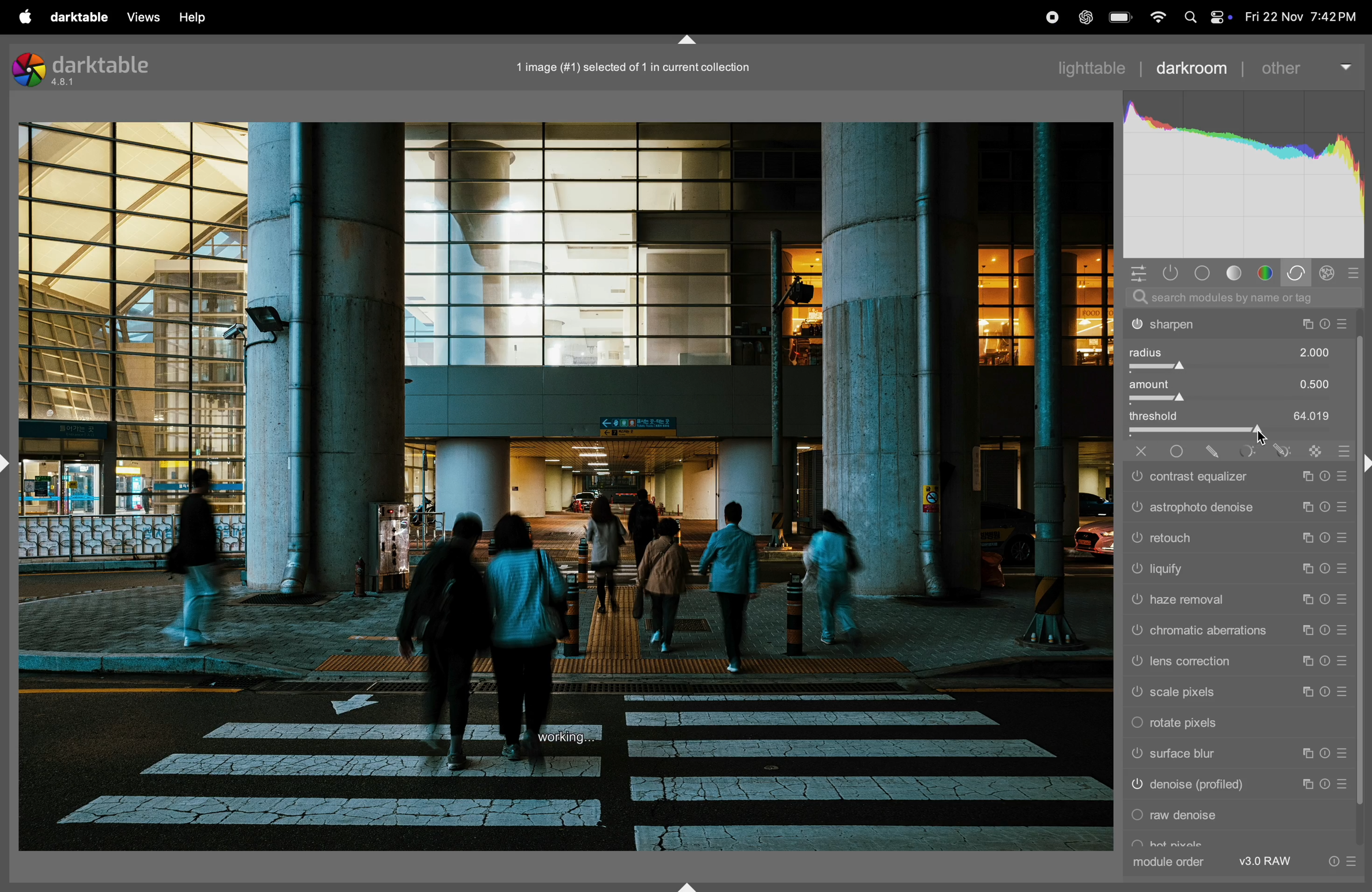  Describe the element at coordinates (1239, 357) in the screenshot. I see `radius` at that location.